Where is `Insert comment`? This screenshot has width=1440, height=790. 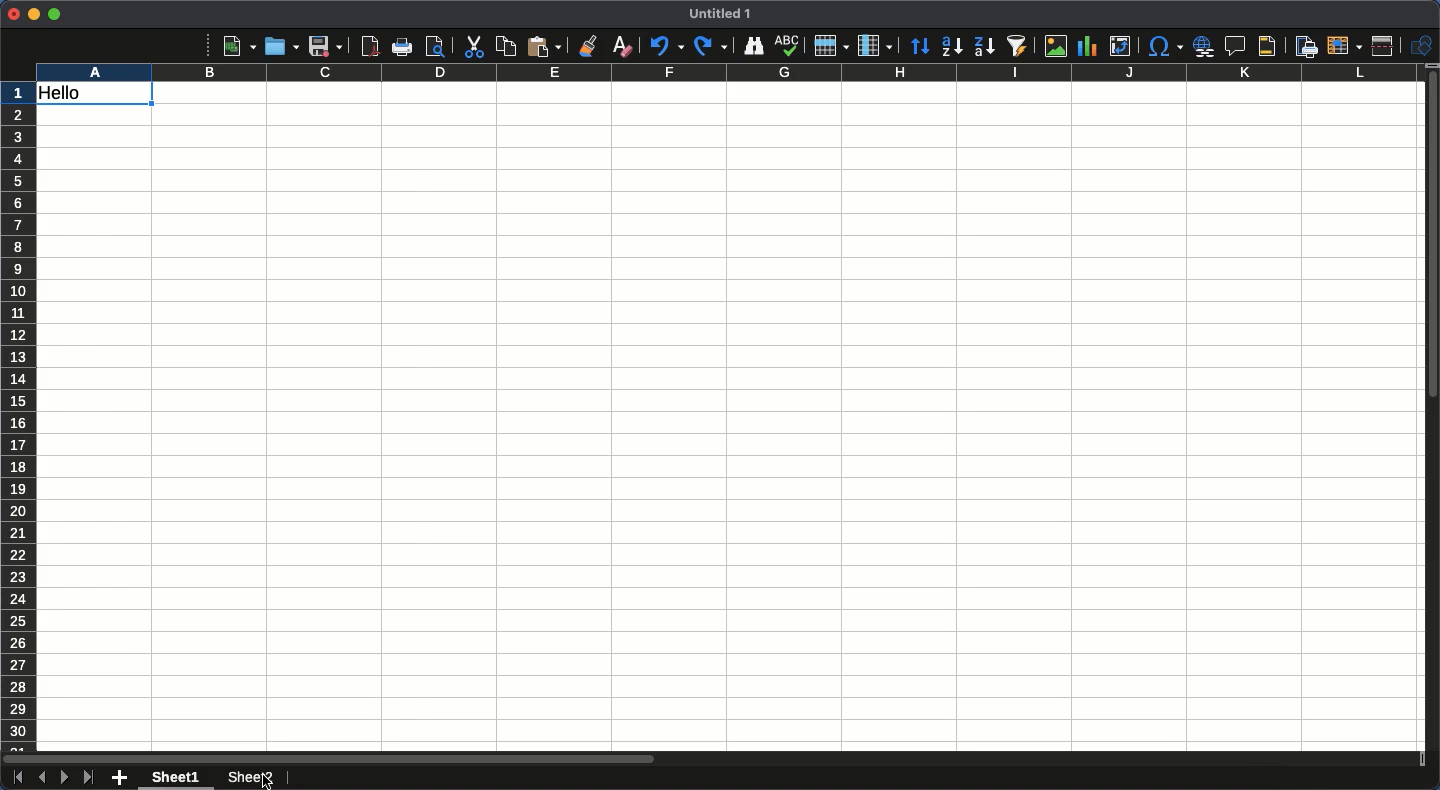 Insert comment is located at coordinates (1238, 47).